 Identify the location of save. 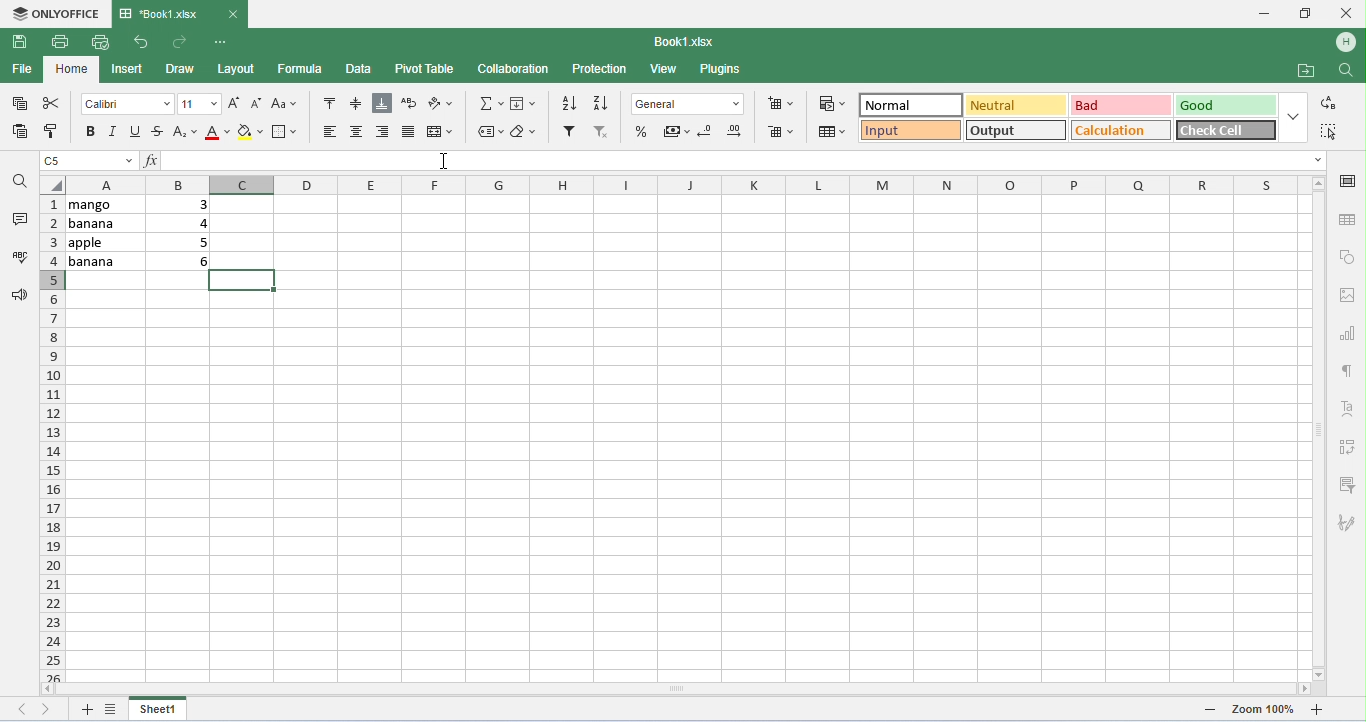
(20, 43).